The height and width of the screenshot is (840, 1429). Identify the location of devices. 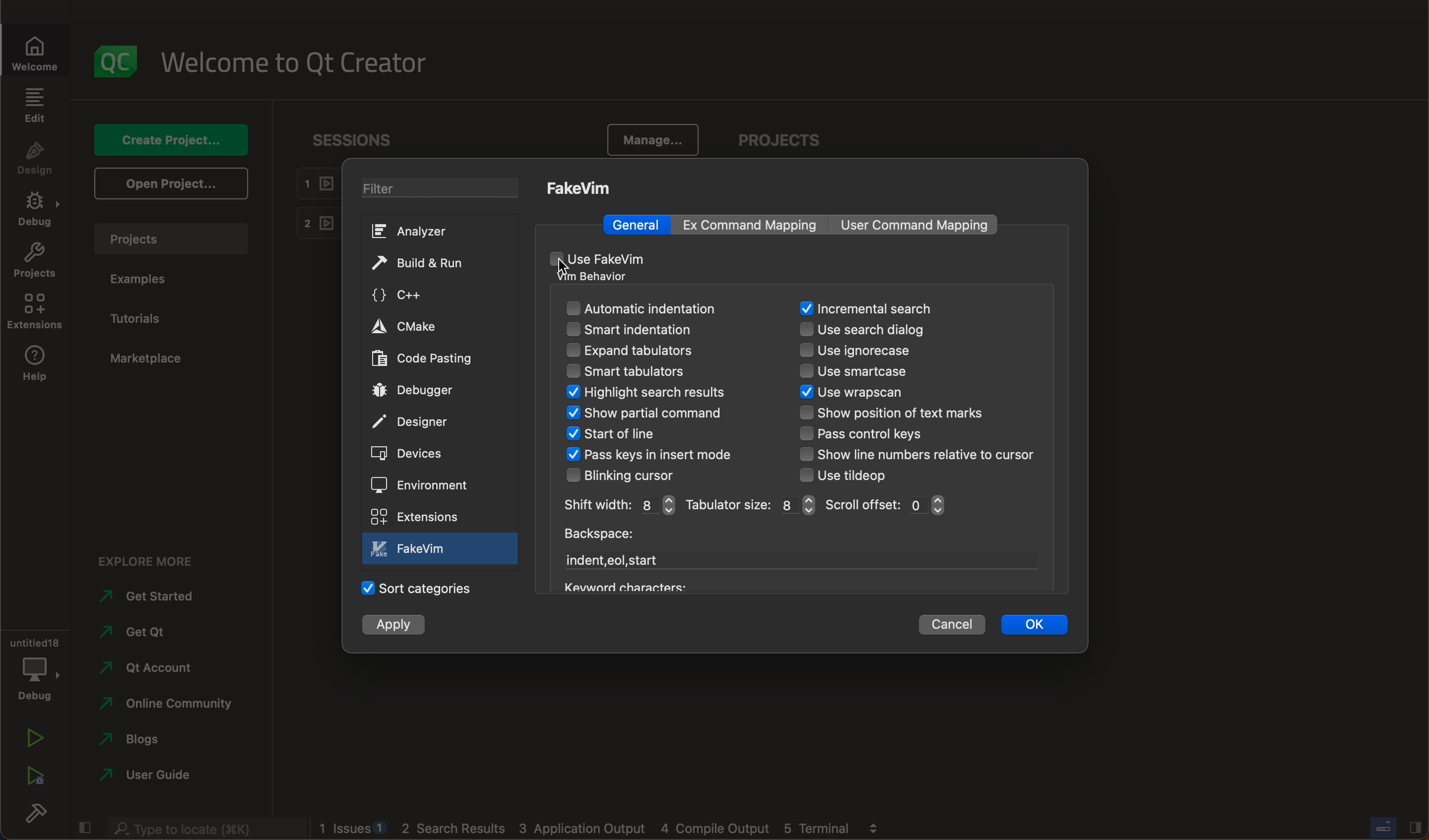
(413, 455).